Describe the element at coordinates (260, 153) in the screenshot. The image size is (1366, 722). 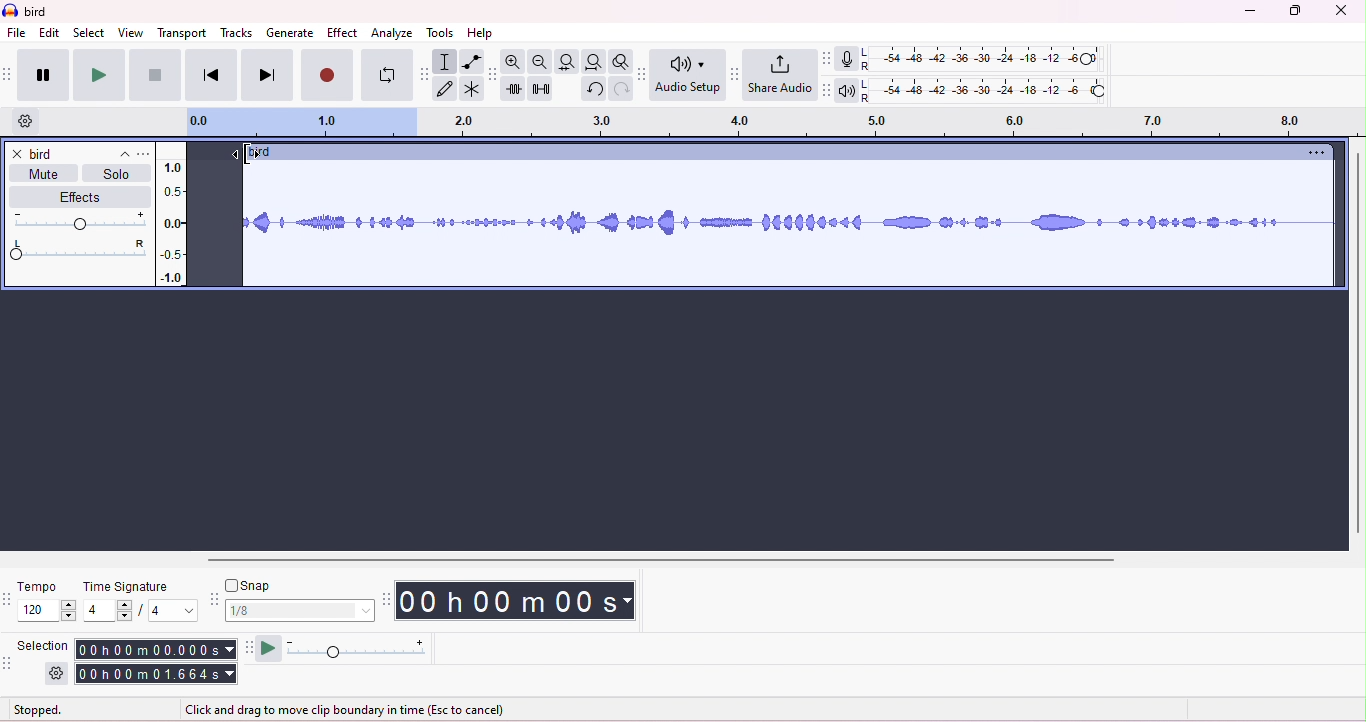
I see `track title` at that location.